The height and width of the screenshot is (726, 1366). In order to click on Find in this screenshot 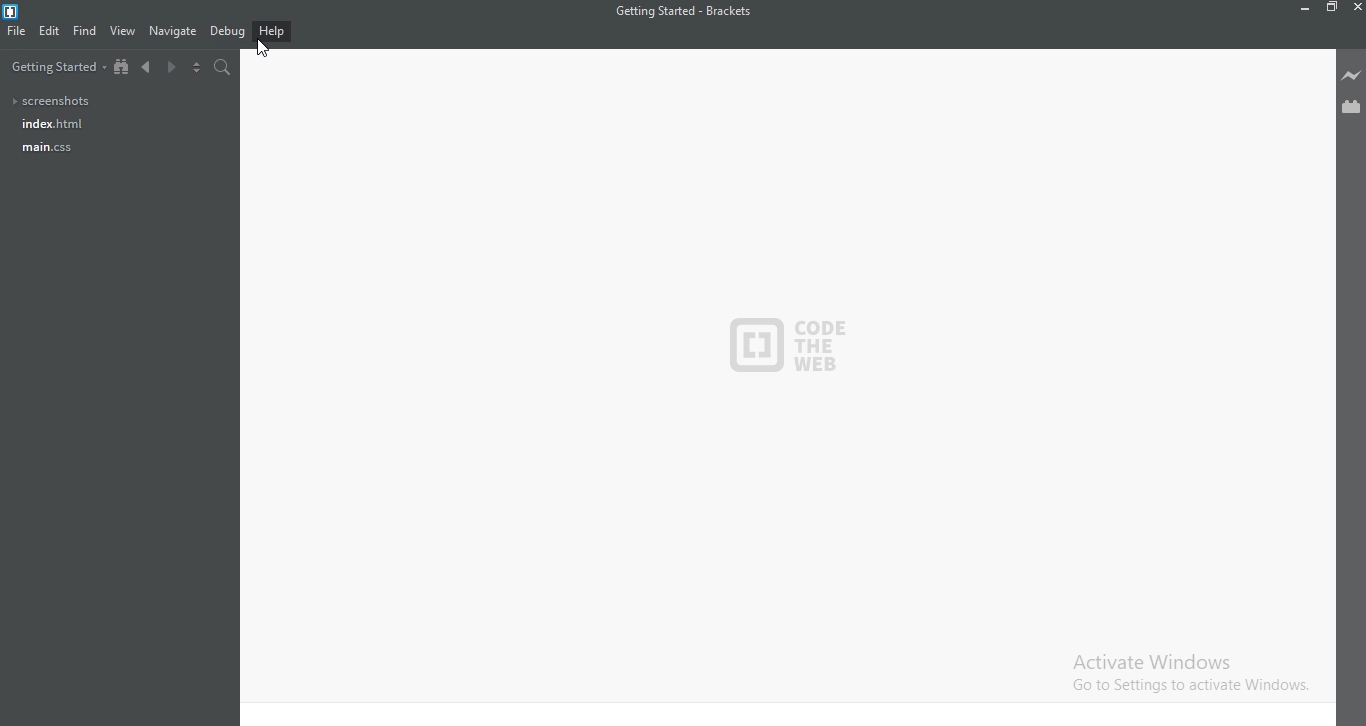, I will do `click(86, 30)`.